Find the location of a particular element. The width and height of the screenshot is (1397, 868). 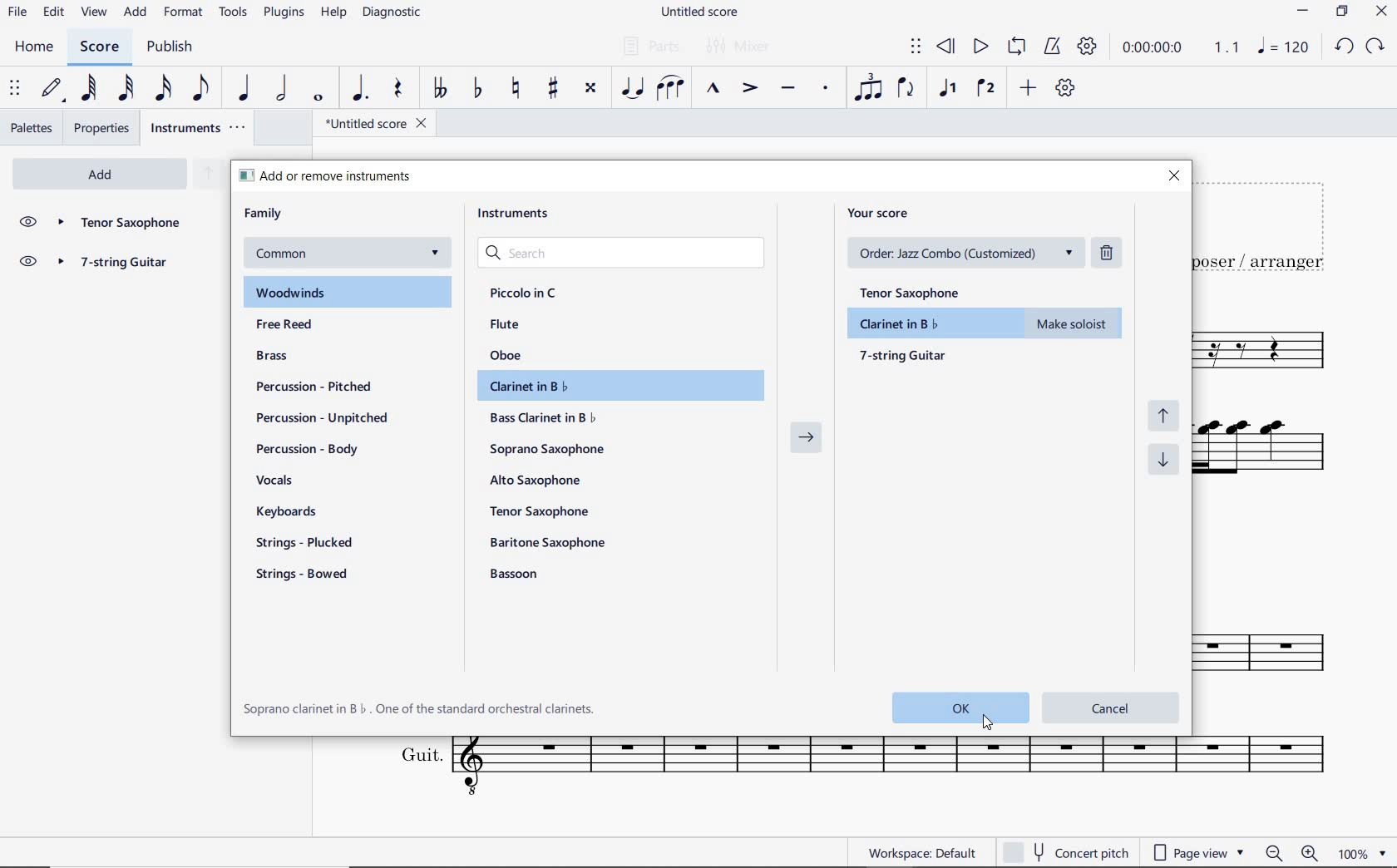

TOGGLE SHARP is located at coordinates (555, 90).